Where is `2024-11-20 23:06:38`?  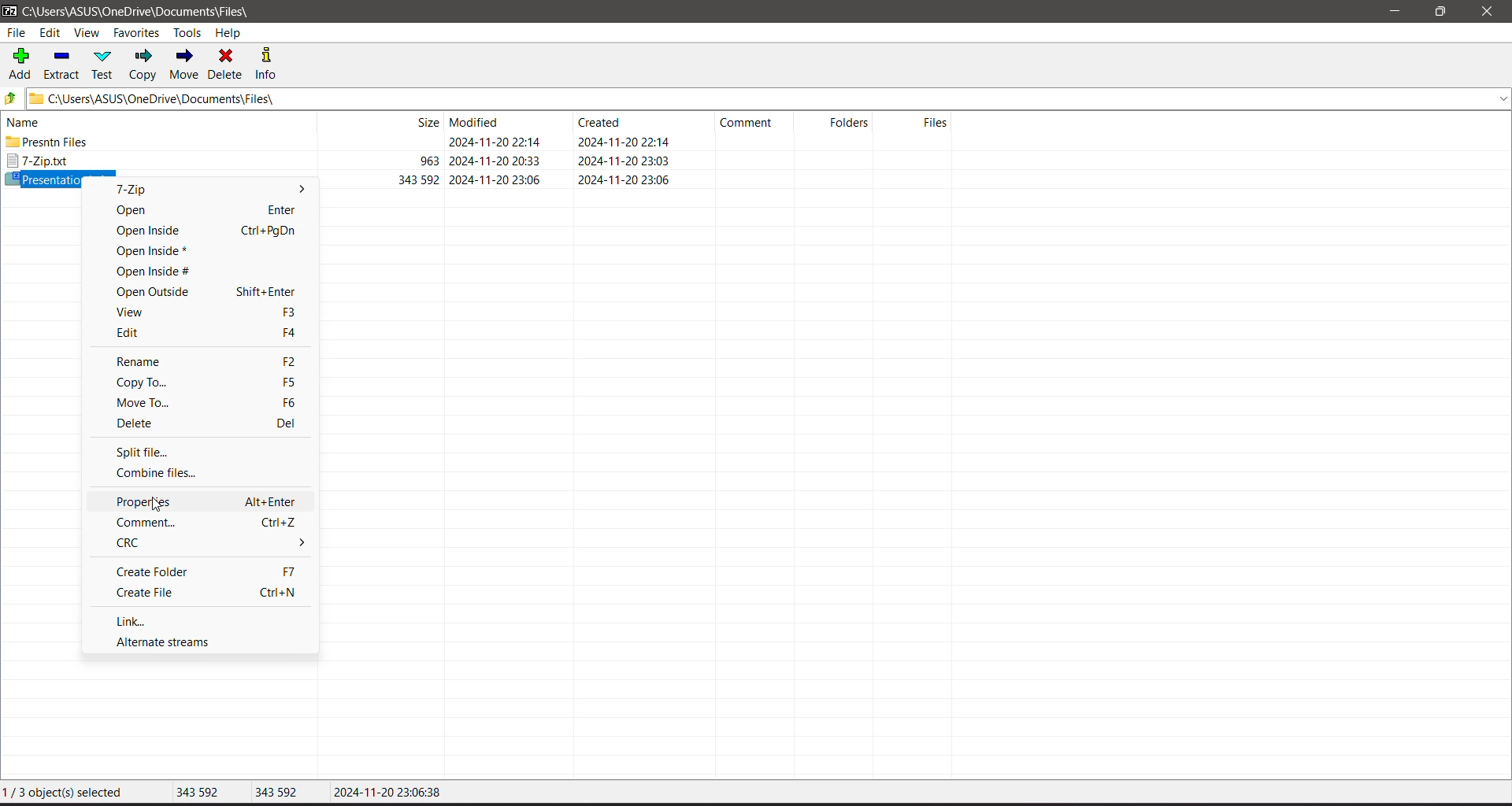 2024-11-20 23:06:38 is located at coordinates (384, 790).